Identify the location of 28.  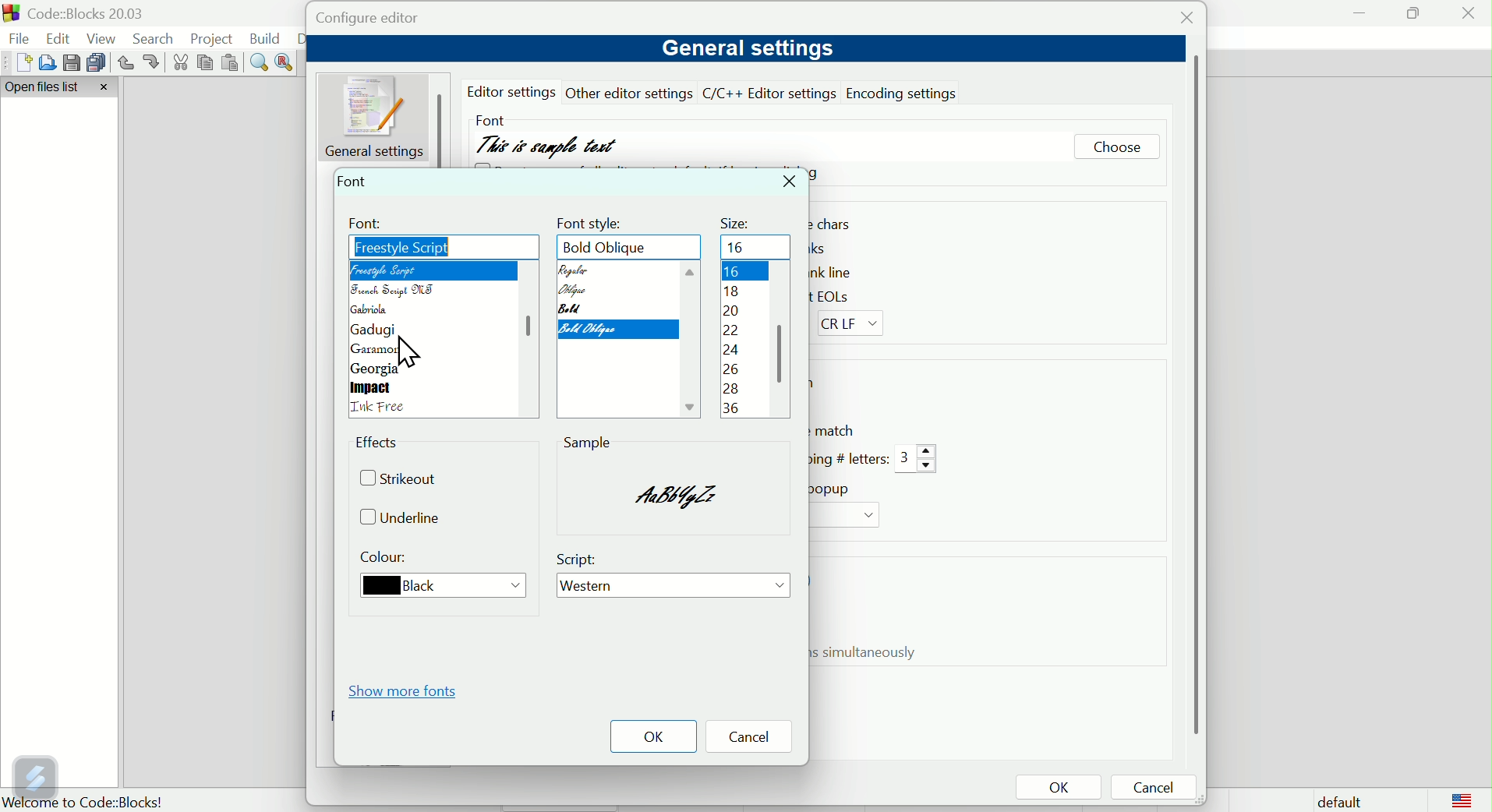
(731, 389).